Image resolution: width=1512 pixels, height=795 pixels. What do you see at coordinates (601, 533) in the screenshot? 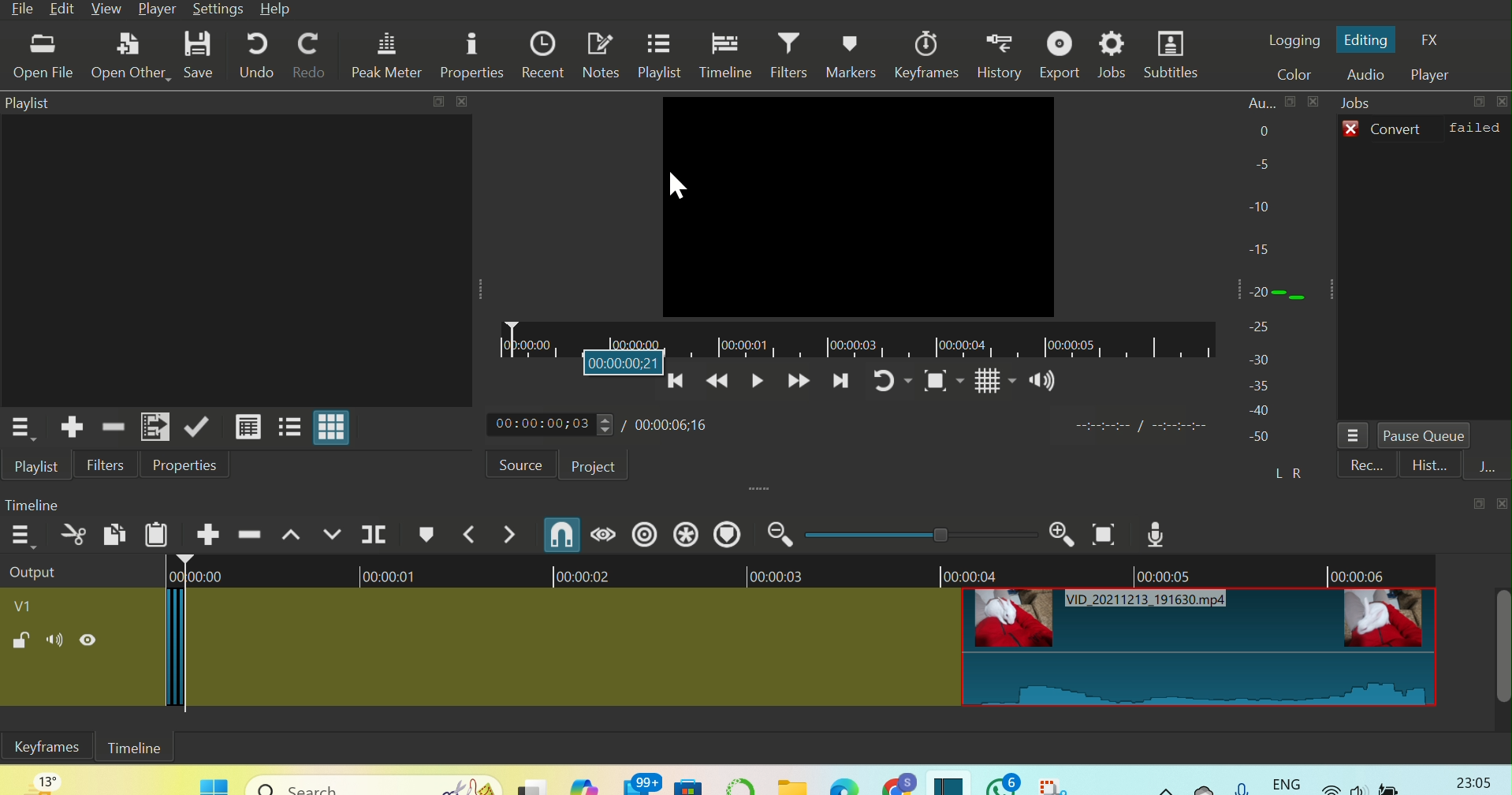
I see `` at bounding box center [601, 533].